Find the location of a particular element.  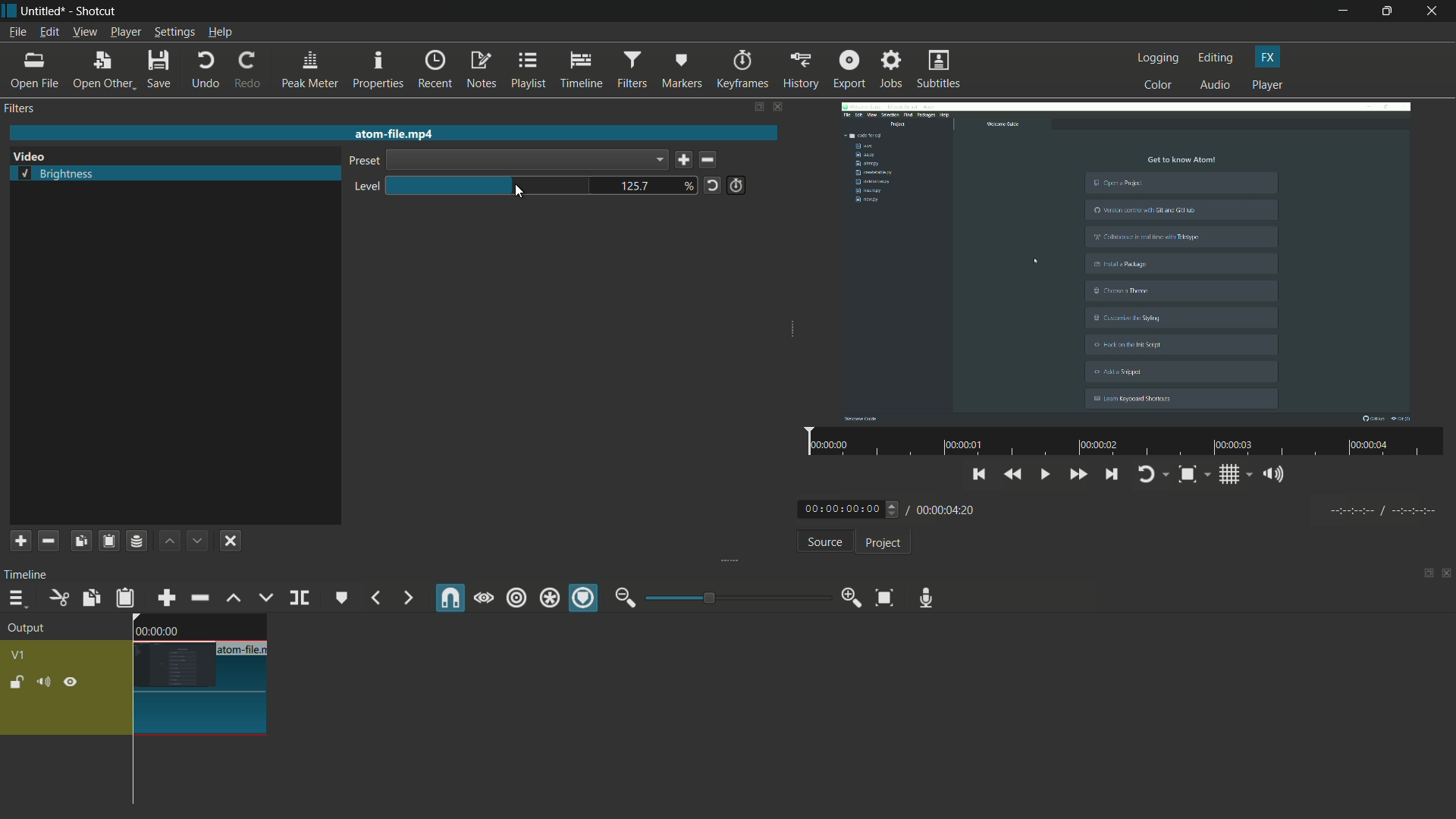

video on timeline is located at coordinates (198, 674).